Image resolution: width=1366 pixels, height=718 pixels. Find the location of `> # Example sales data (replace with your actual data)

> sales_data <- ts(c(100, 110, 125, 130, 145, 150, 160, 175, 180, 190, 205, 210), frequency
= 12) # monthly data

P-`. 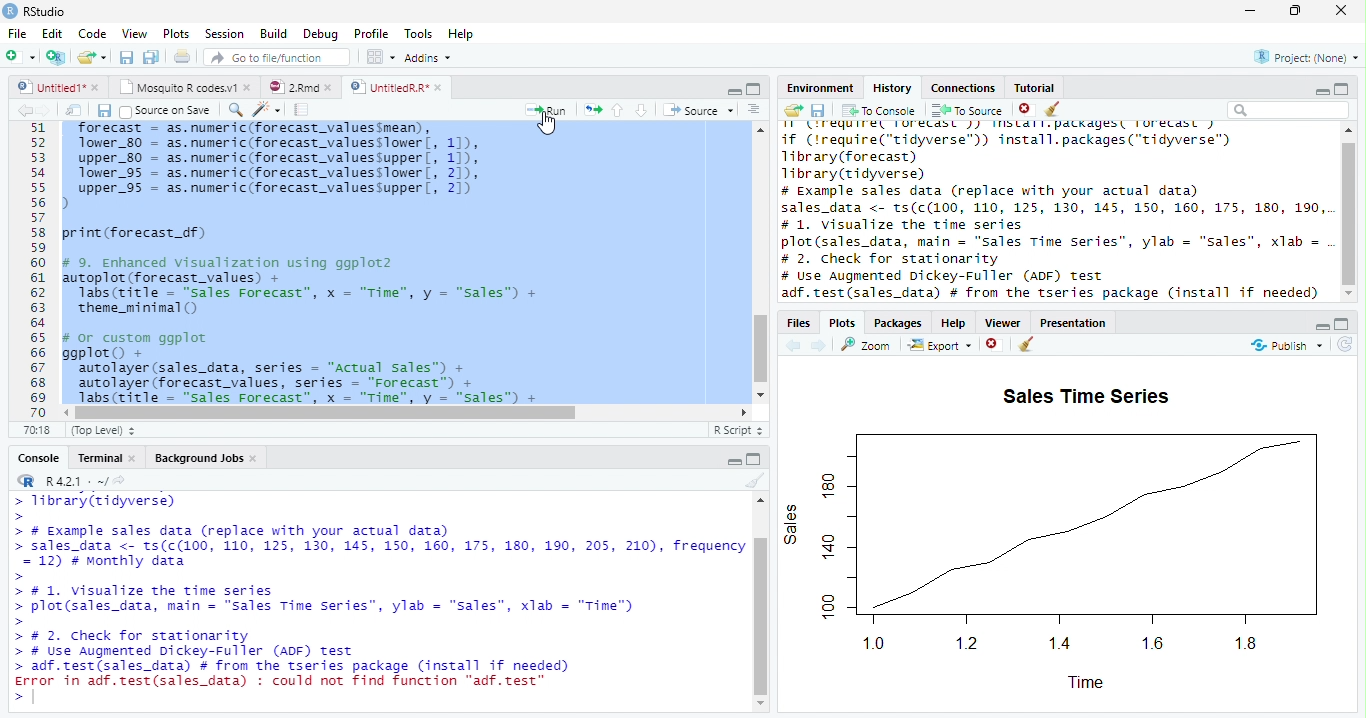

> # Example sales data (replace with your actual data)

> sales_data <- ts(c(100, 110, 125, 130, 145, 150, 160, 175, 180, 190, 205, 210), frequency
= 12) # monthly data

P- is located at coordinates (379, 552).